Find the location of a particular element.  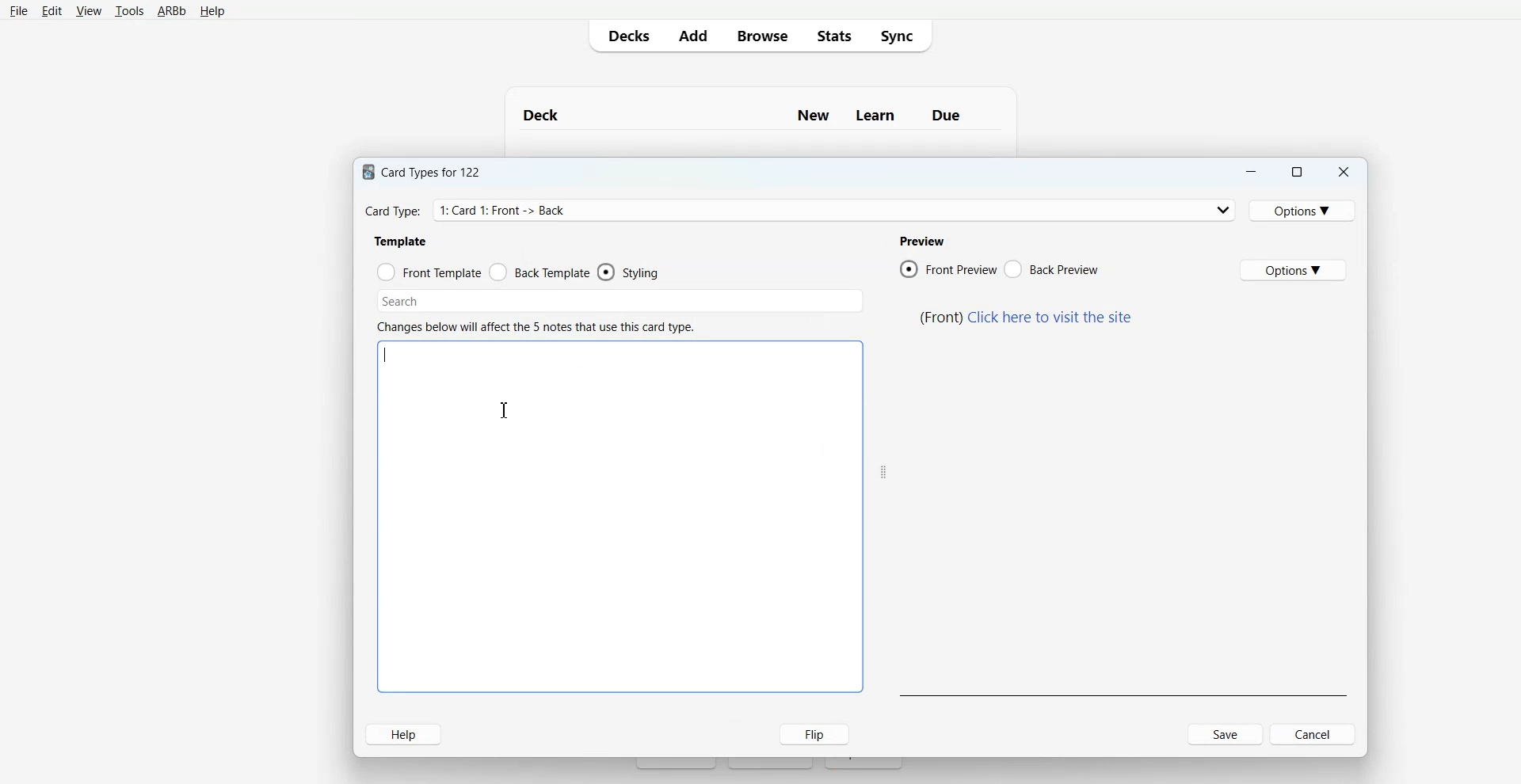

Front Preview is located at coordinates (948, 268).